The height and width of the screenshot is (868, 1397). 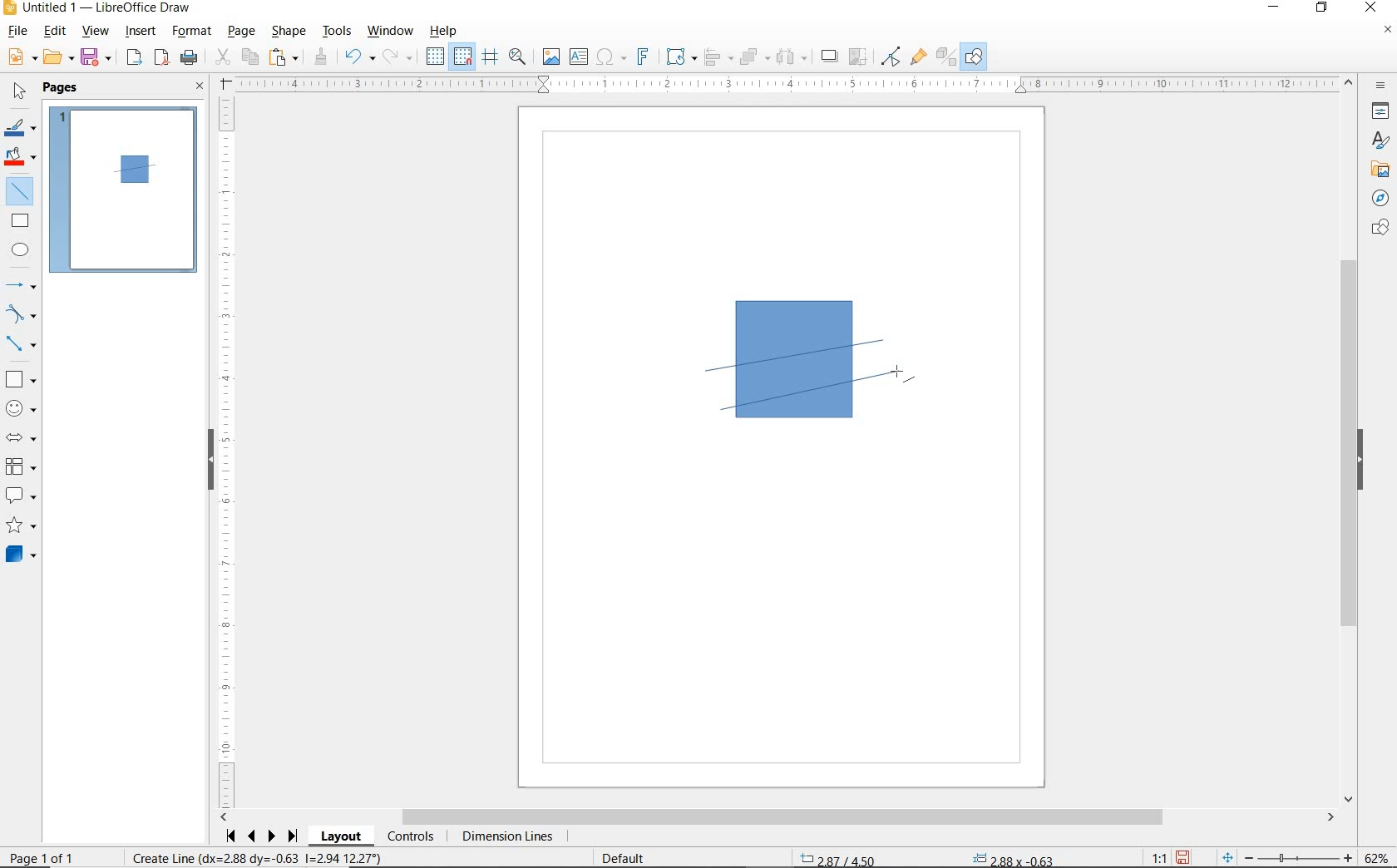 What do you see at coordinates (1378, 113) in the screenshot?
I see `PROPERTIES` at bounding box center [1378, 113].